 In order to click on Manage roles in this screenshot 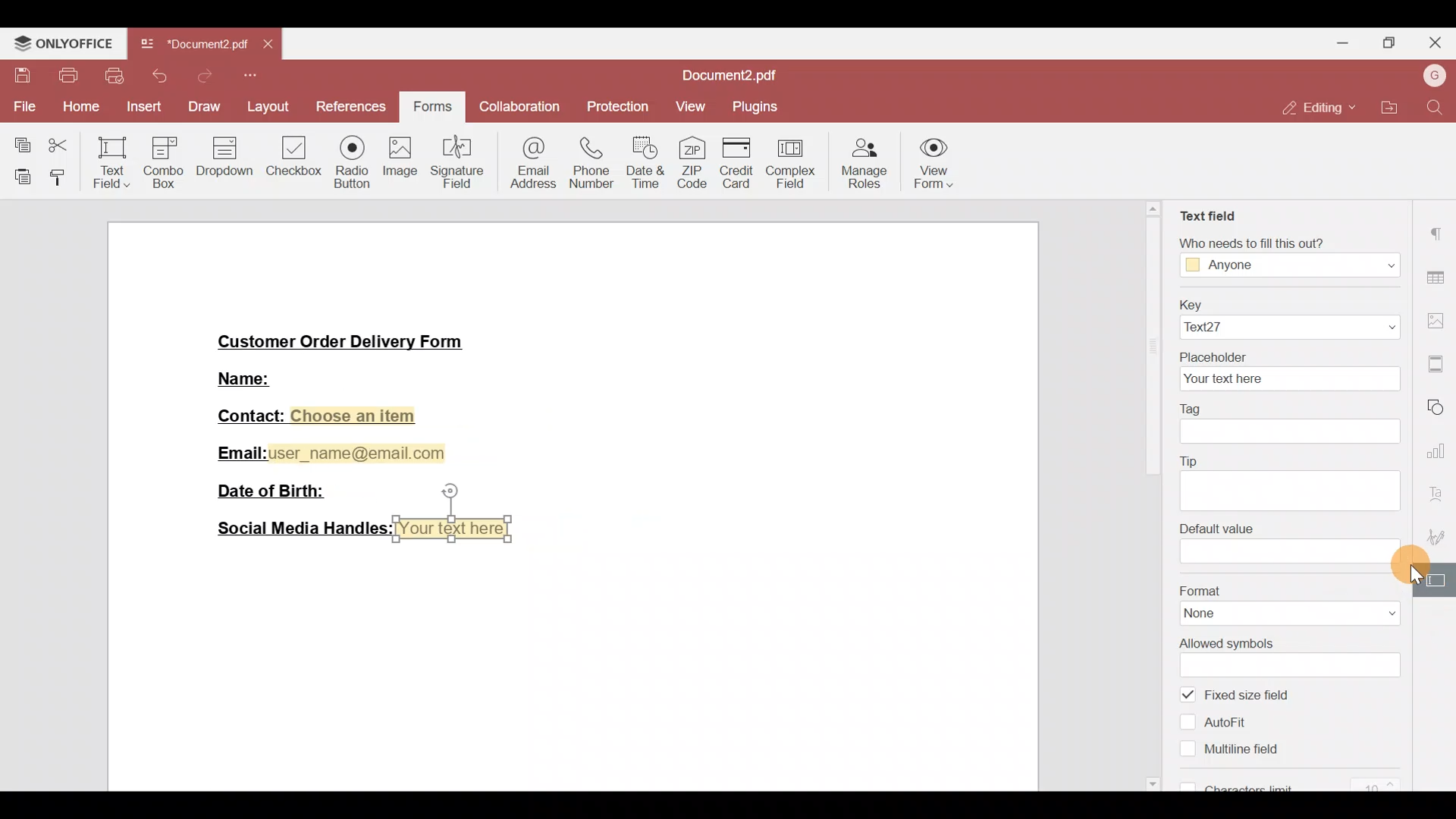, I will do `click(866, 161)`.